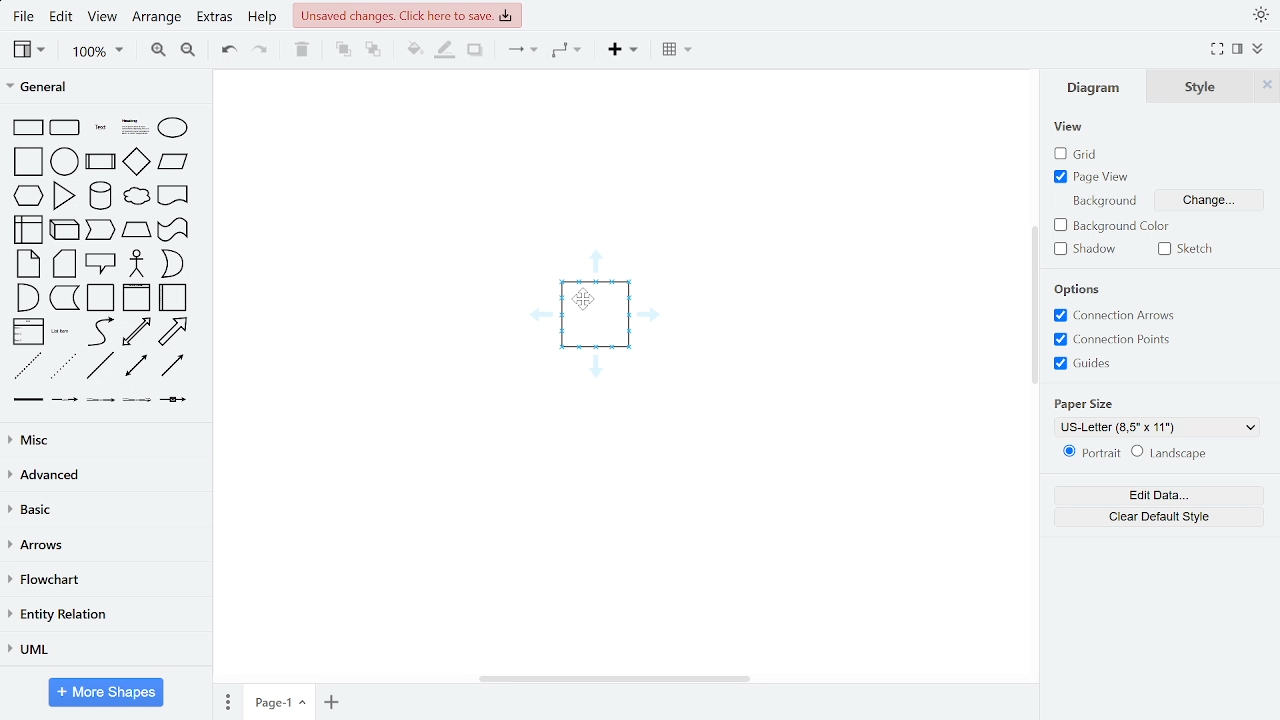  Describe the element at coordinates (27, 51) in the screenshot. I see `view` at that location.